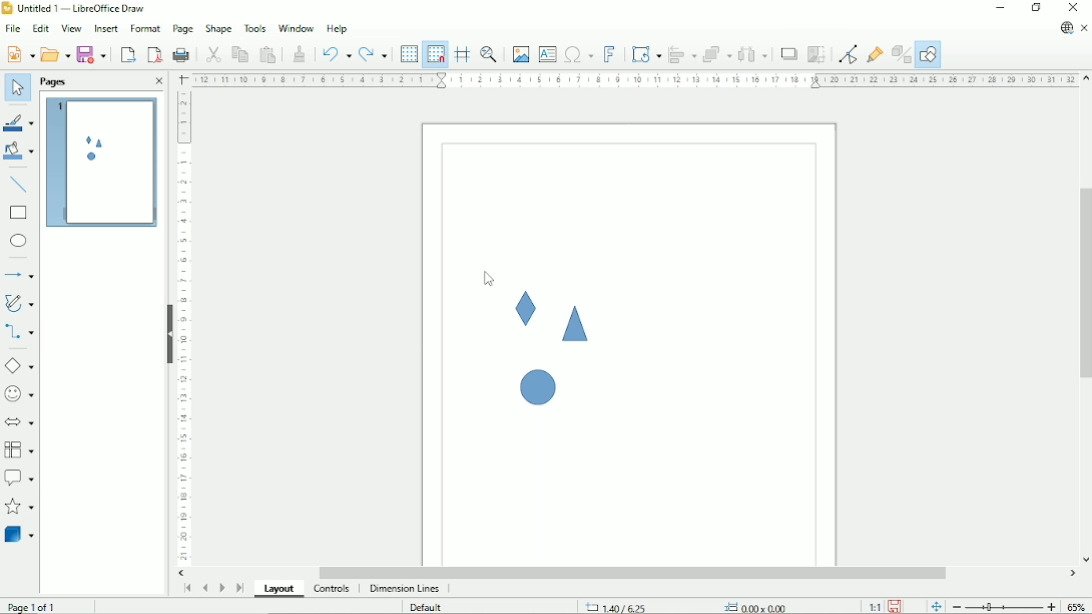 The image size is (1092, 614). Describe the element at coordinates (184, 328) in the screenshot. I see `Vertical scale` at that location.